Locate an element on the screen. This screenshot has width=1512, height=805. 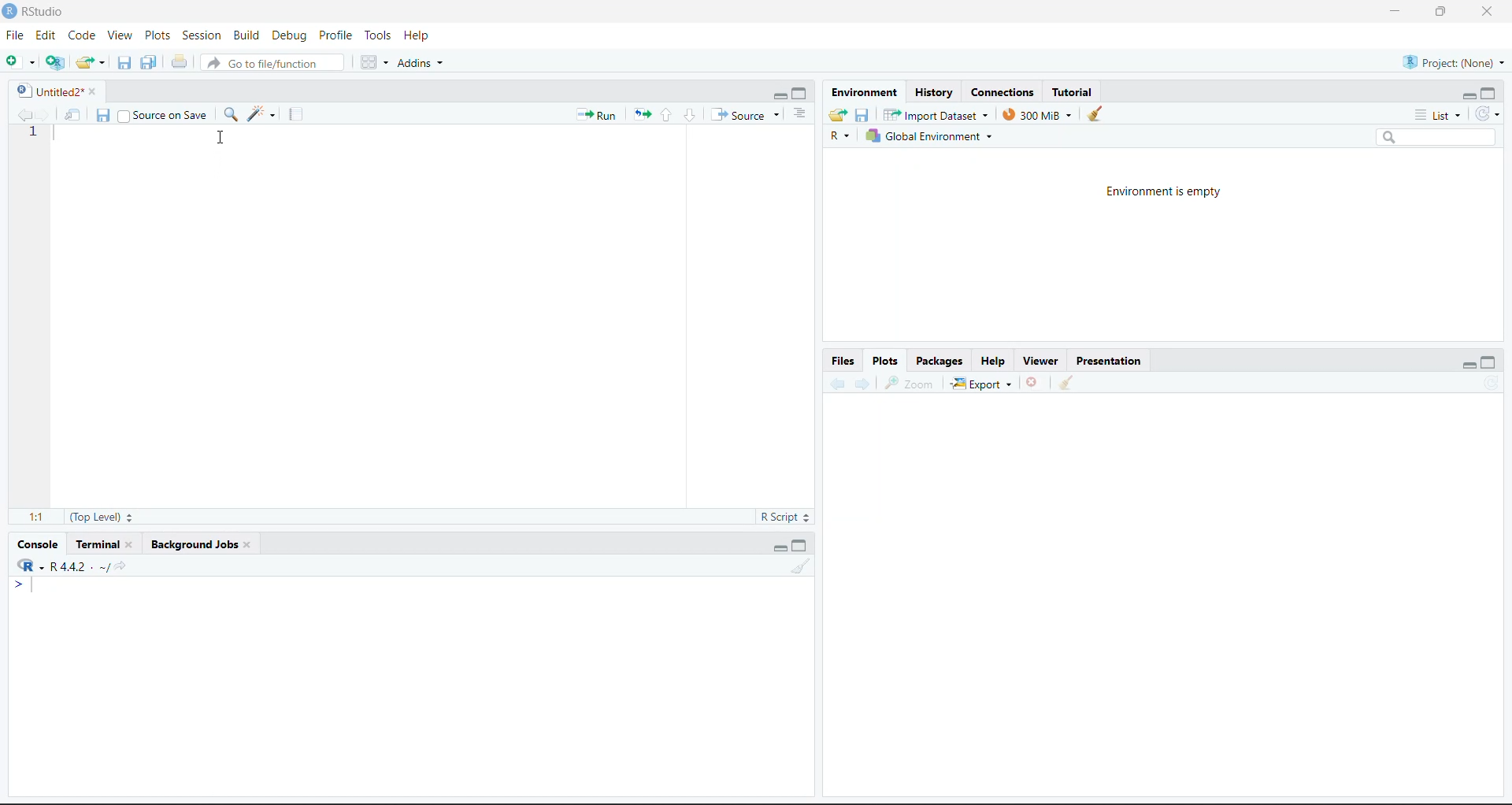
show in new window is located at coordinates (75, 113).